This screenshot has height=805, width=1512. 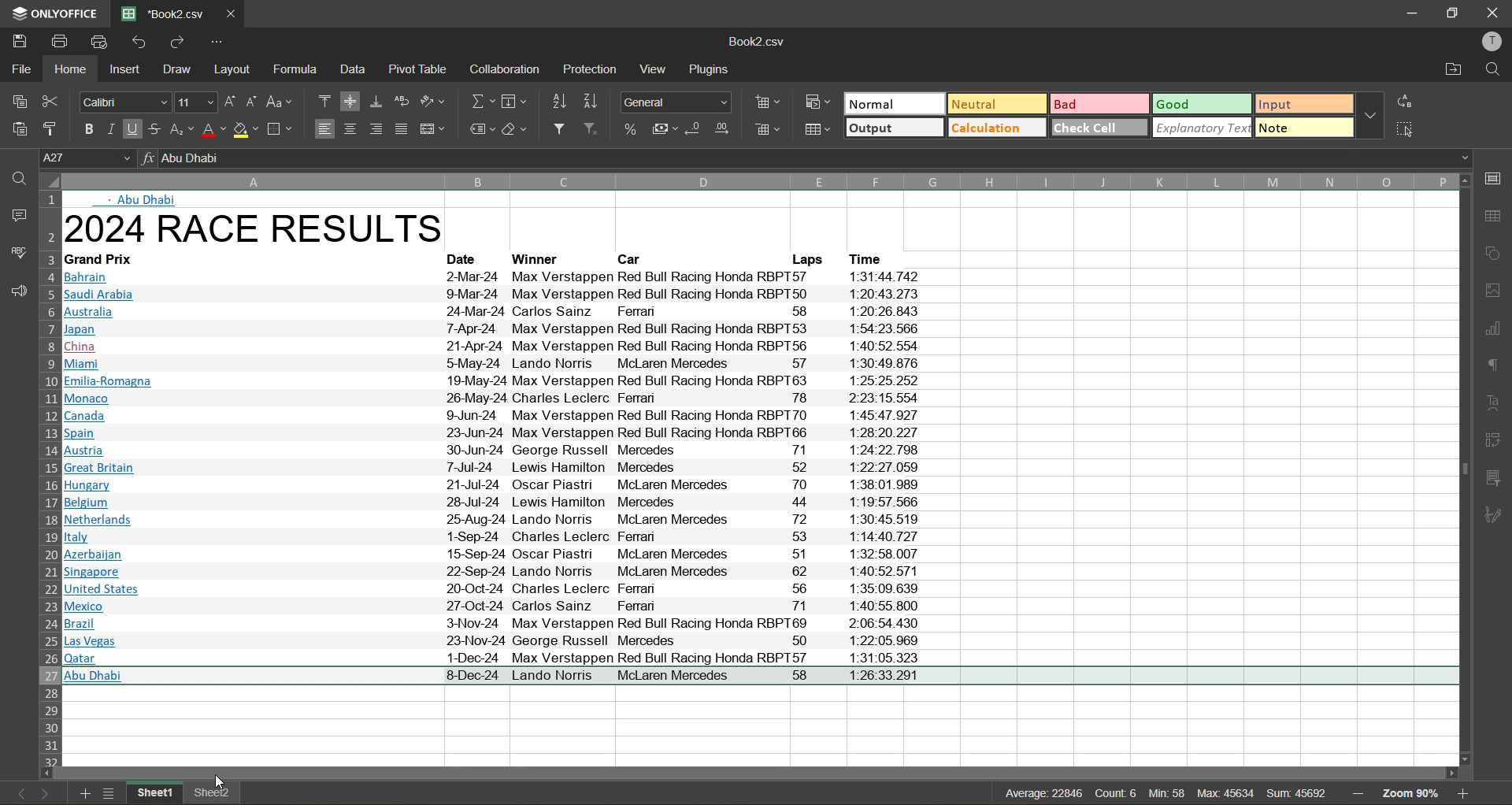 What do you see at coordinates (597, 131) in the screenshot?
I see `clear filter` at bounding box center [597, 131].